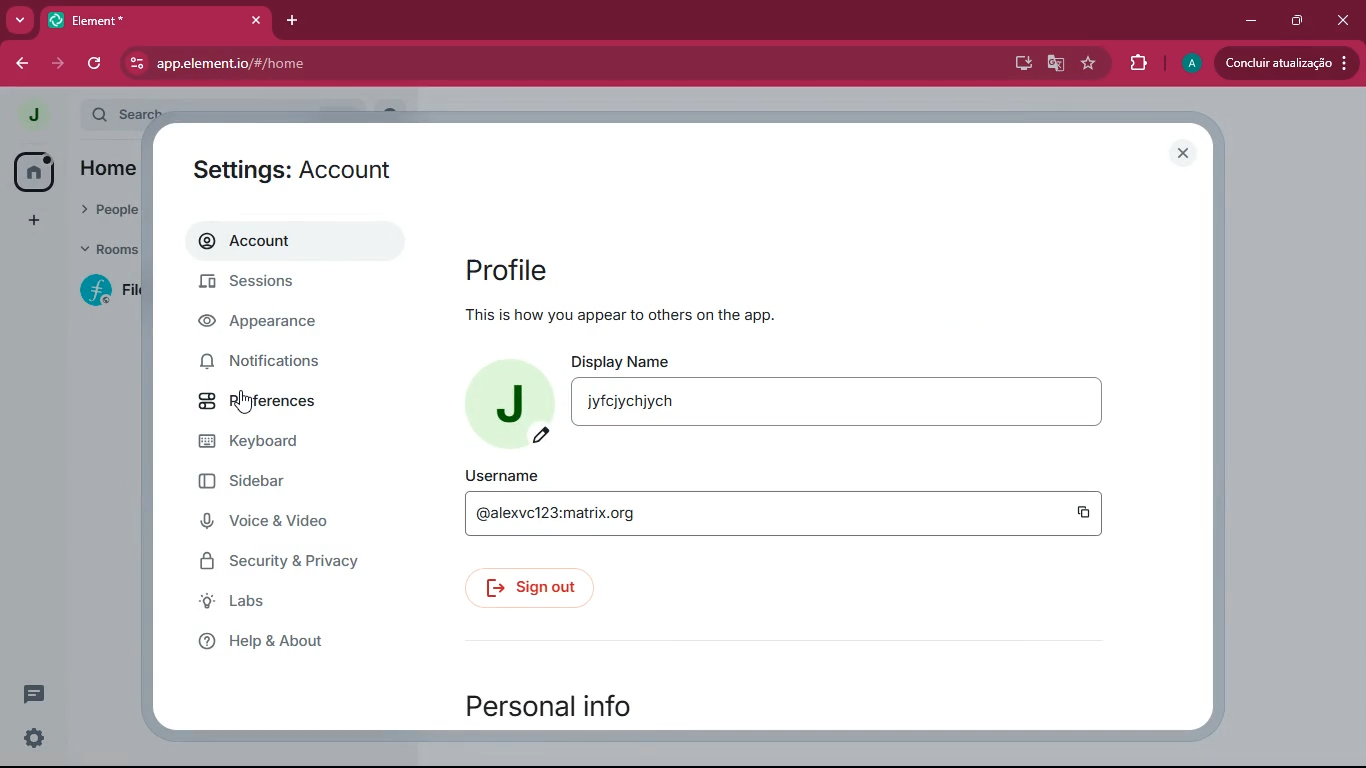 This screenshot has width=1366, height=768. I want to click on tab, so click(128, 20).